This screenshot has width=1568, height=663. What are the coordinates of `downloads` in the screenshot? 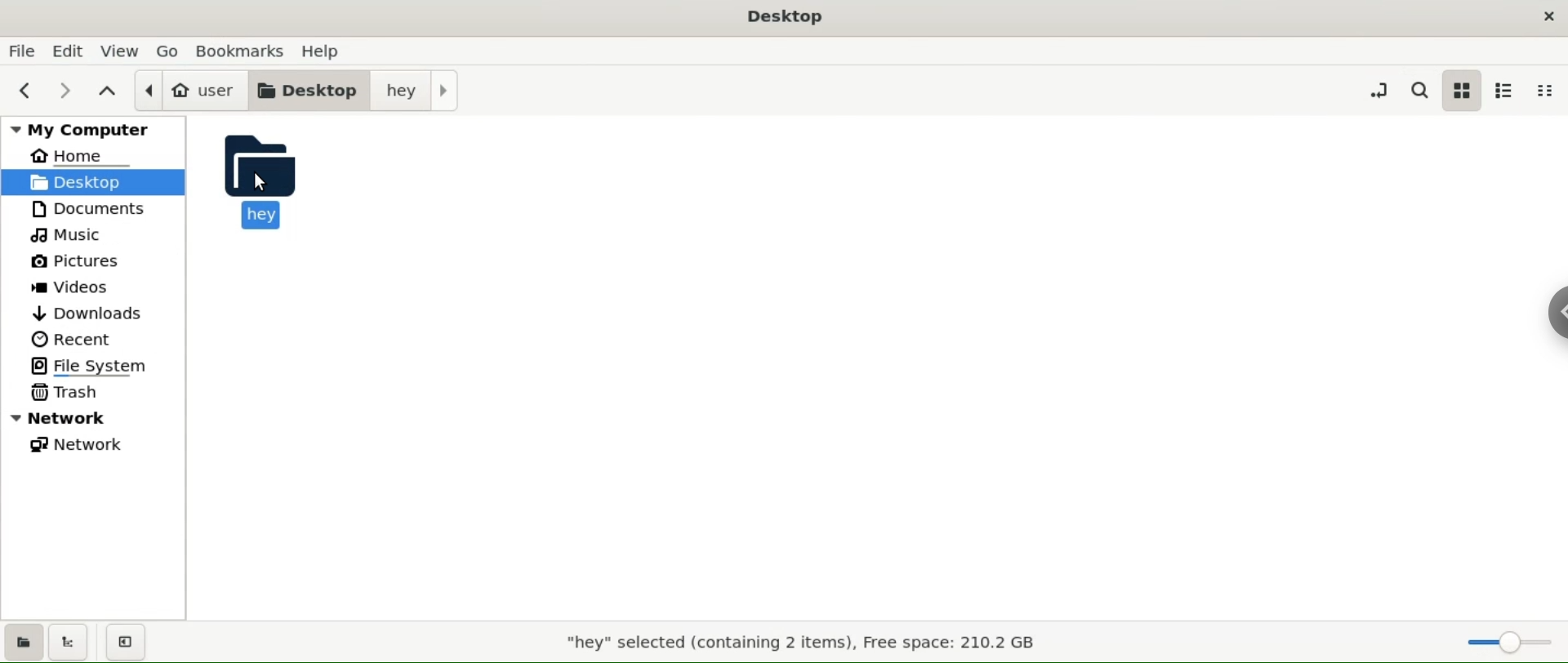 It's located at (94, 315).